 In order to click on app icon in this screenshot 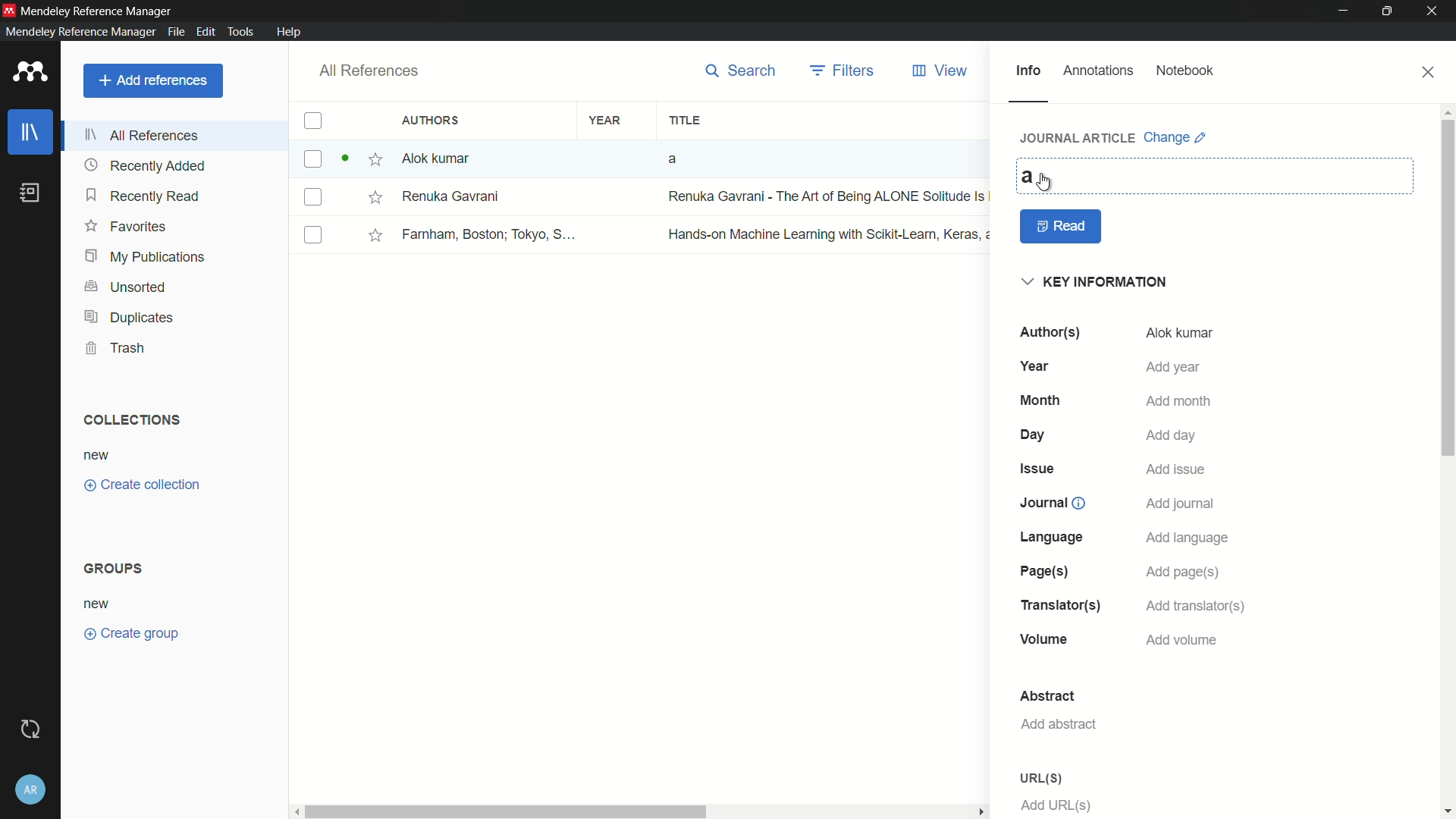, I will do `click(30, 73)`.